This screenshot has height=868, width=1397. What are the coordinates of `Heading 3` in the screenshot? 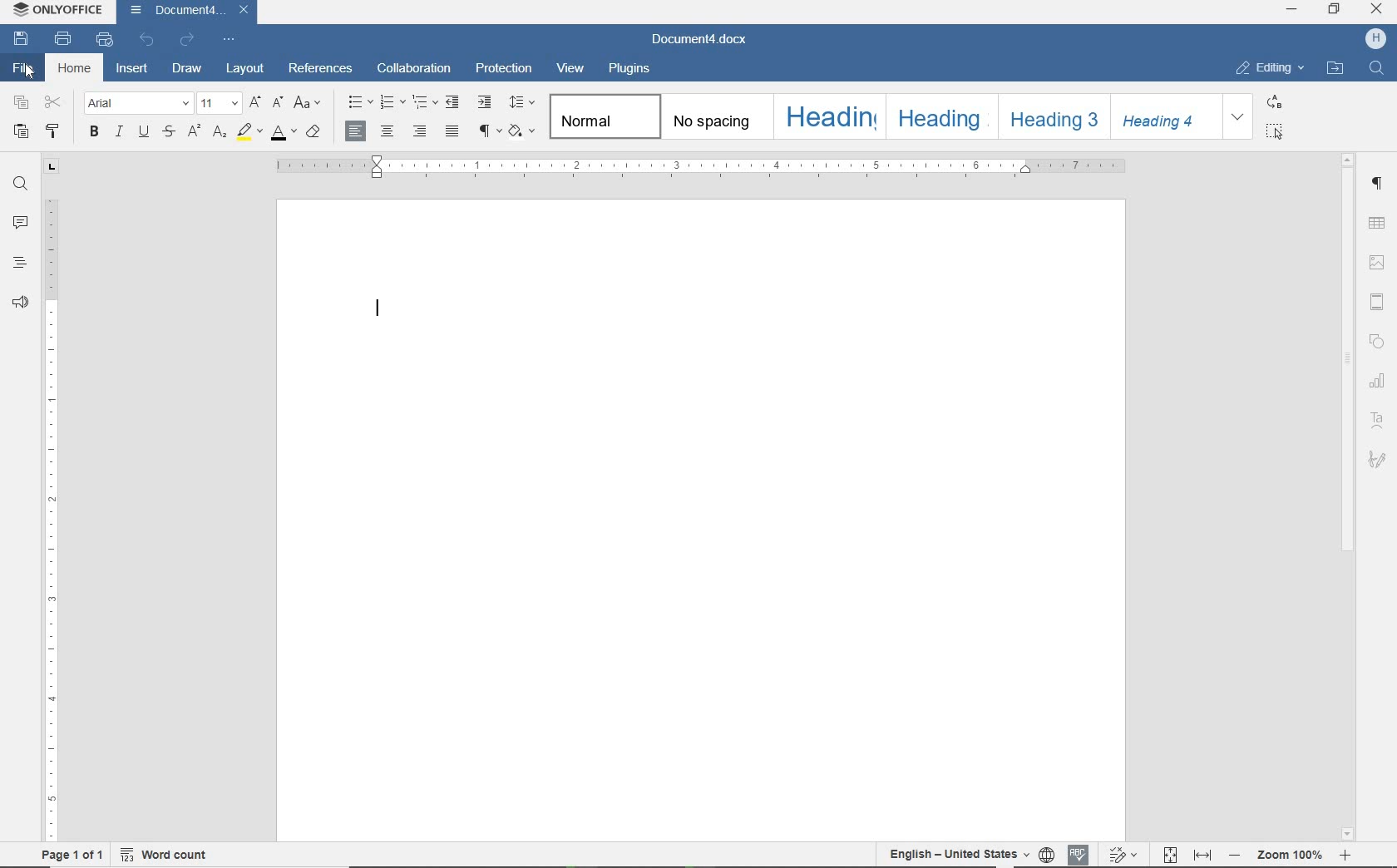 It's located at (1055, 117).